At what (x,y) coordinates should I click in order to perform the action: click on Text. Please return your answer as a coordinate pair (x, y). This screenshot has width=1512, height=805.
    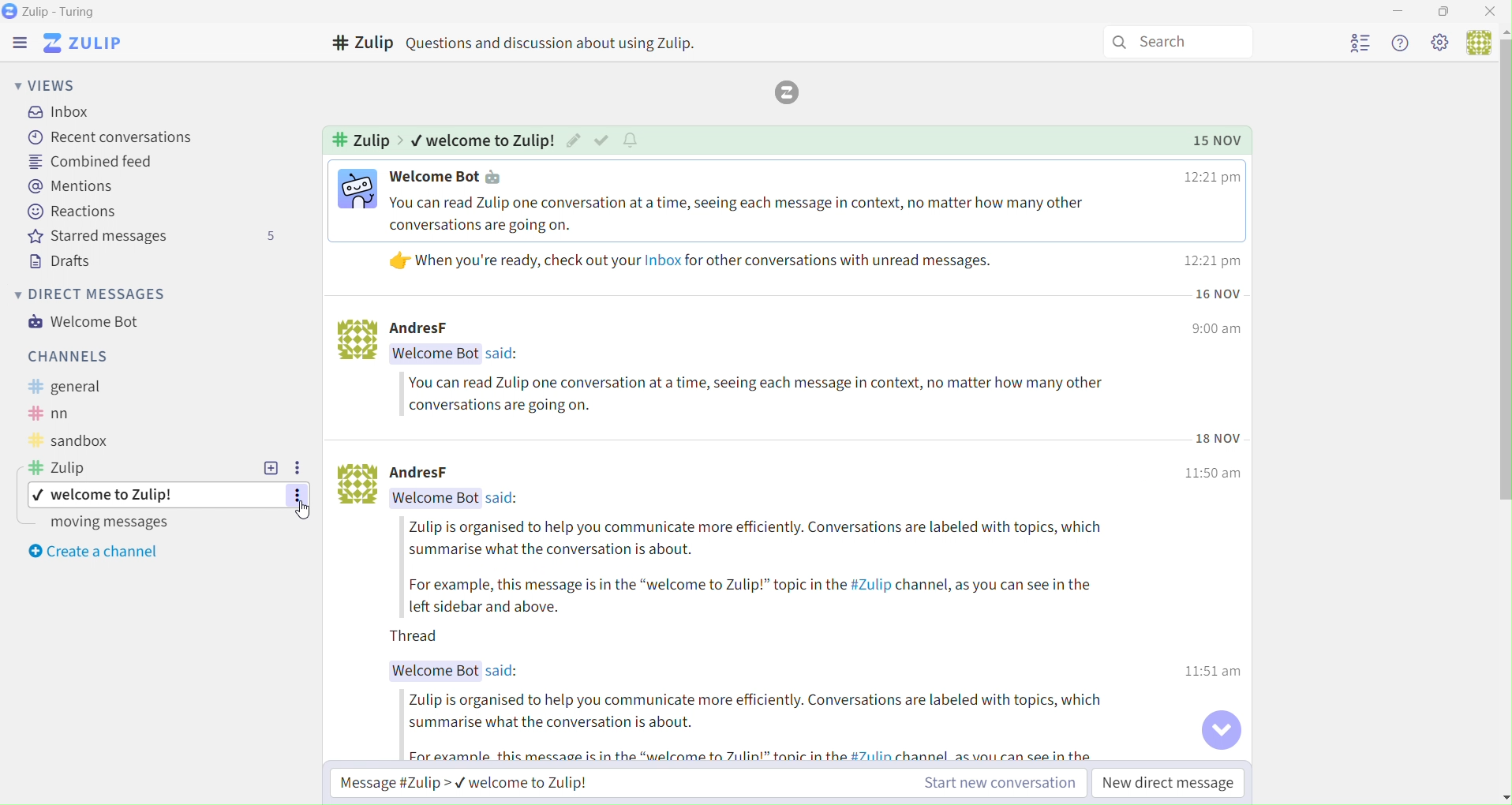
    Looking at the image, I should click on (504, 672).